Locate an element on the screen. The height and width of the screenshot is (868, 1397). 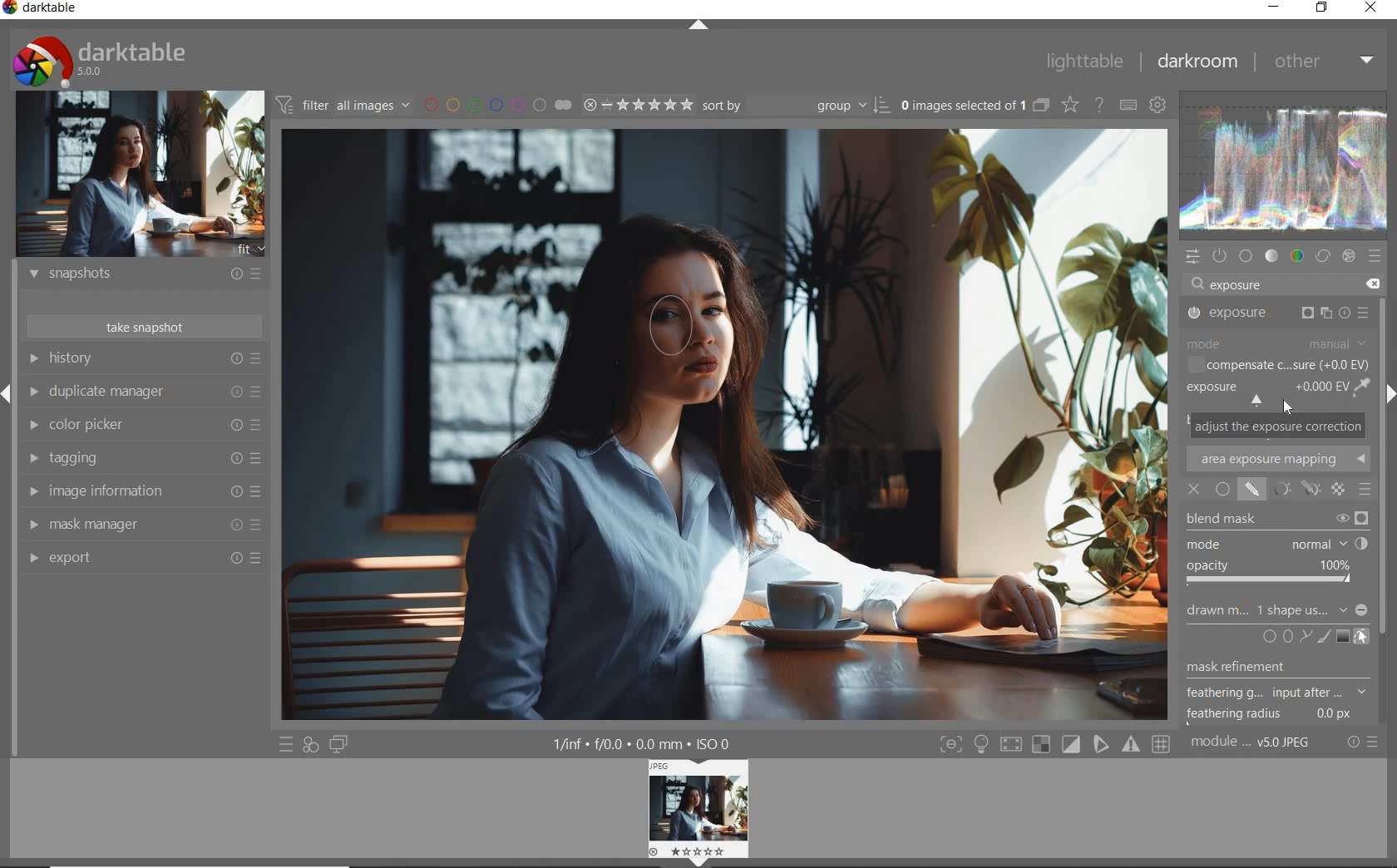
effect is located at coordinates (1349, 256).